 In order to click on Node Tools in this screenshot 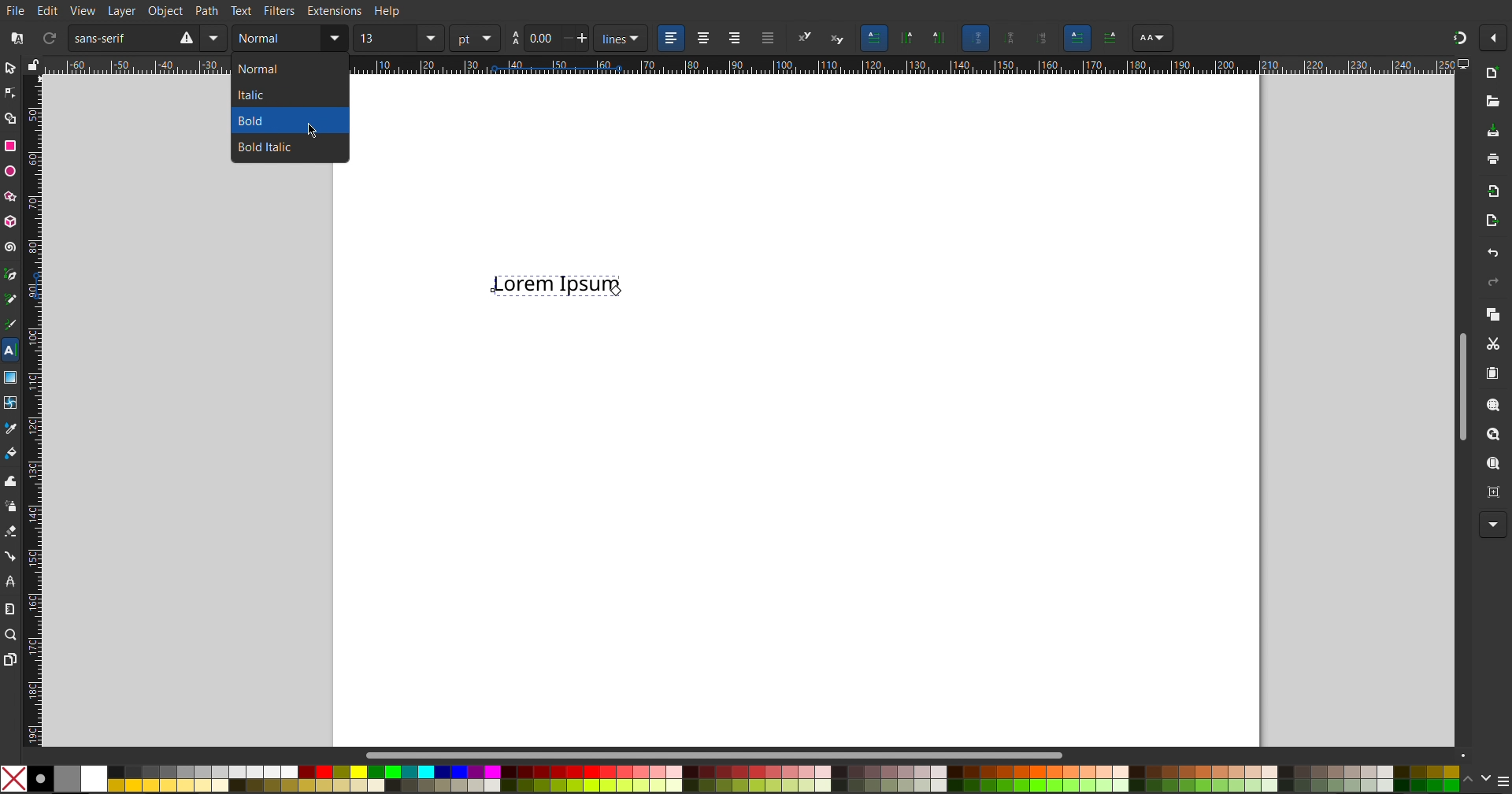, I will do `click(10, 92)`.